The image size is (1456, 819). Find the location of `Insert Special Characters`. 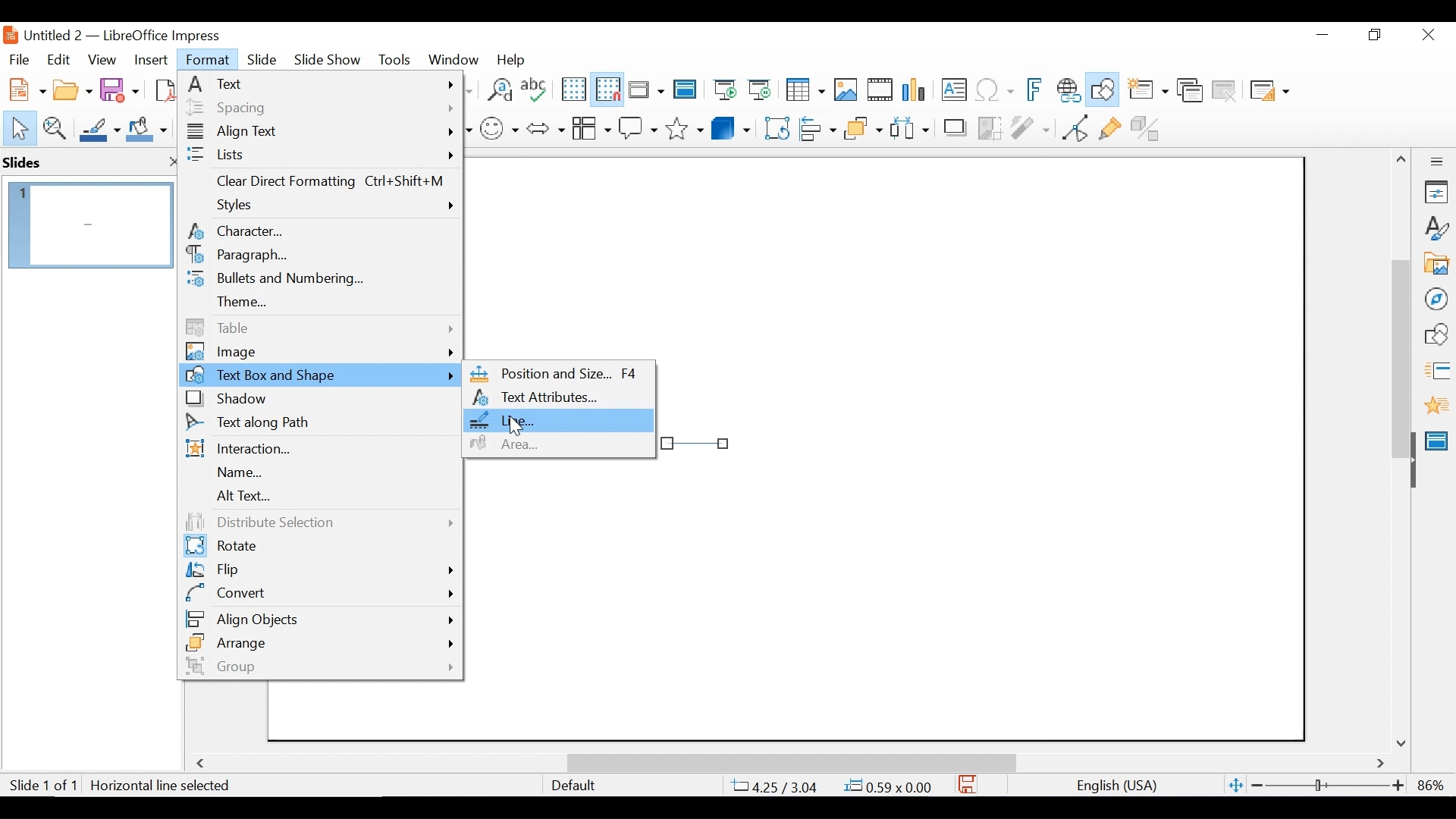

Insert Special Characters is located at coordinates (995, 91).